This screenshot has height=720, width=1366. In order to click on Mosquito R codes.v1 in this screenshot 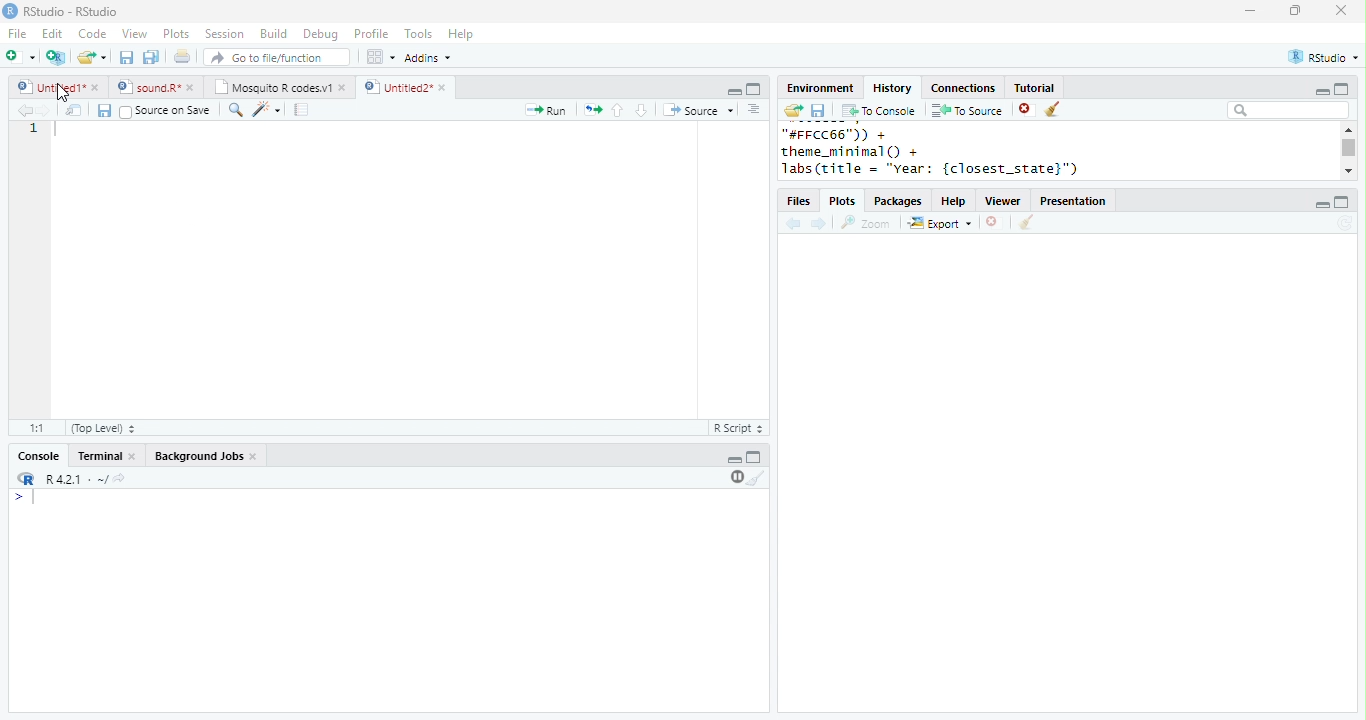, I will do `click(273, 87)`.